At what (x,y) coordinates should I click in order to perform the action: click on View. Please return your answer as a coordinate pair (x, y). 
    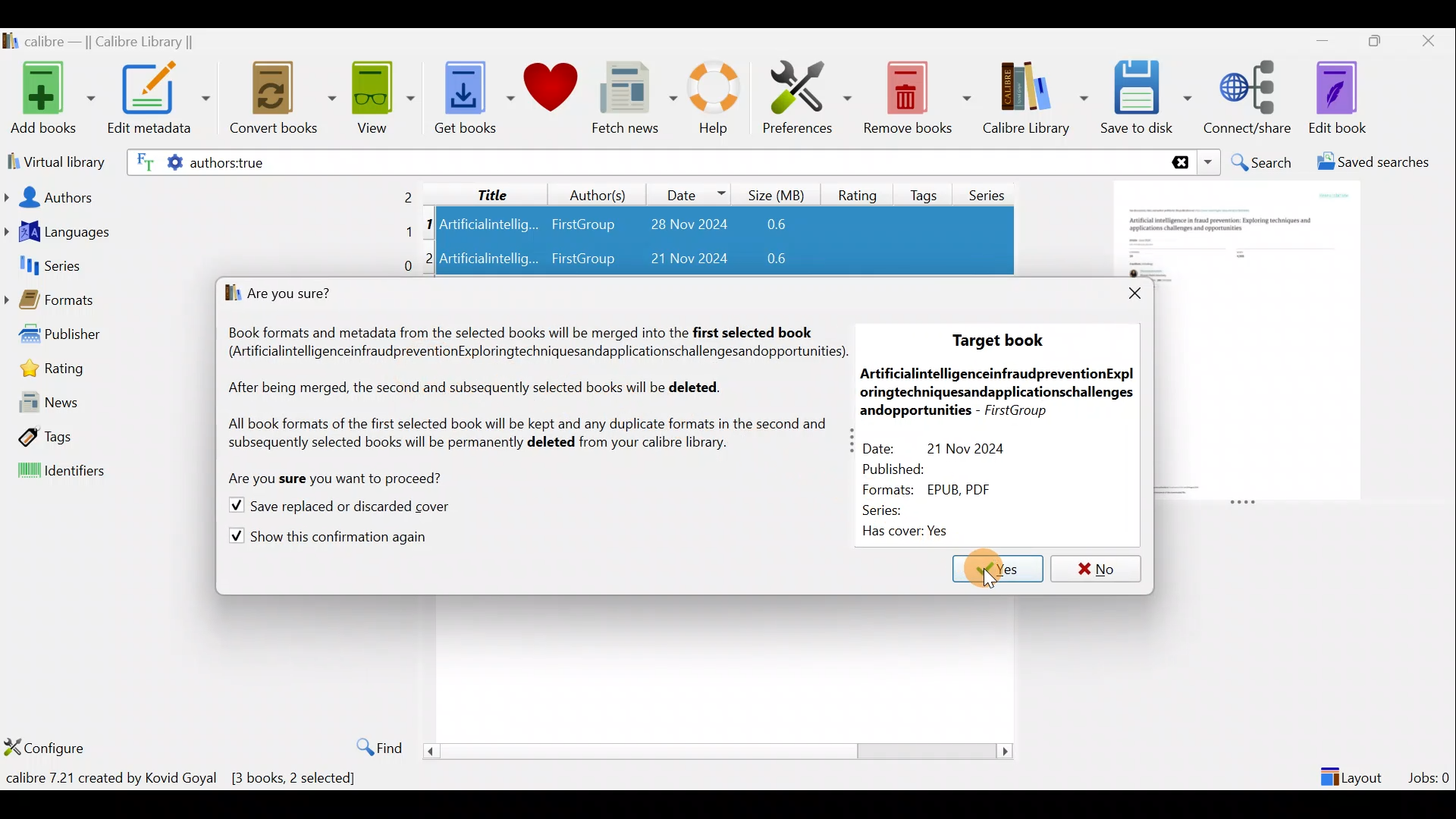
    Looking at the image, I should click on (381, 96).